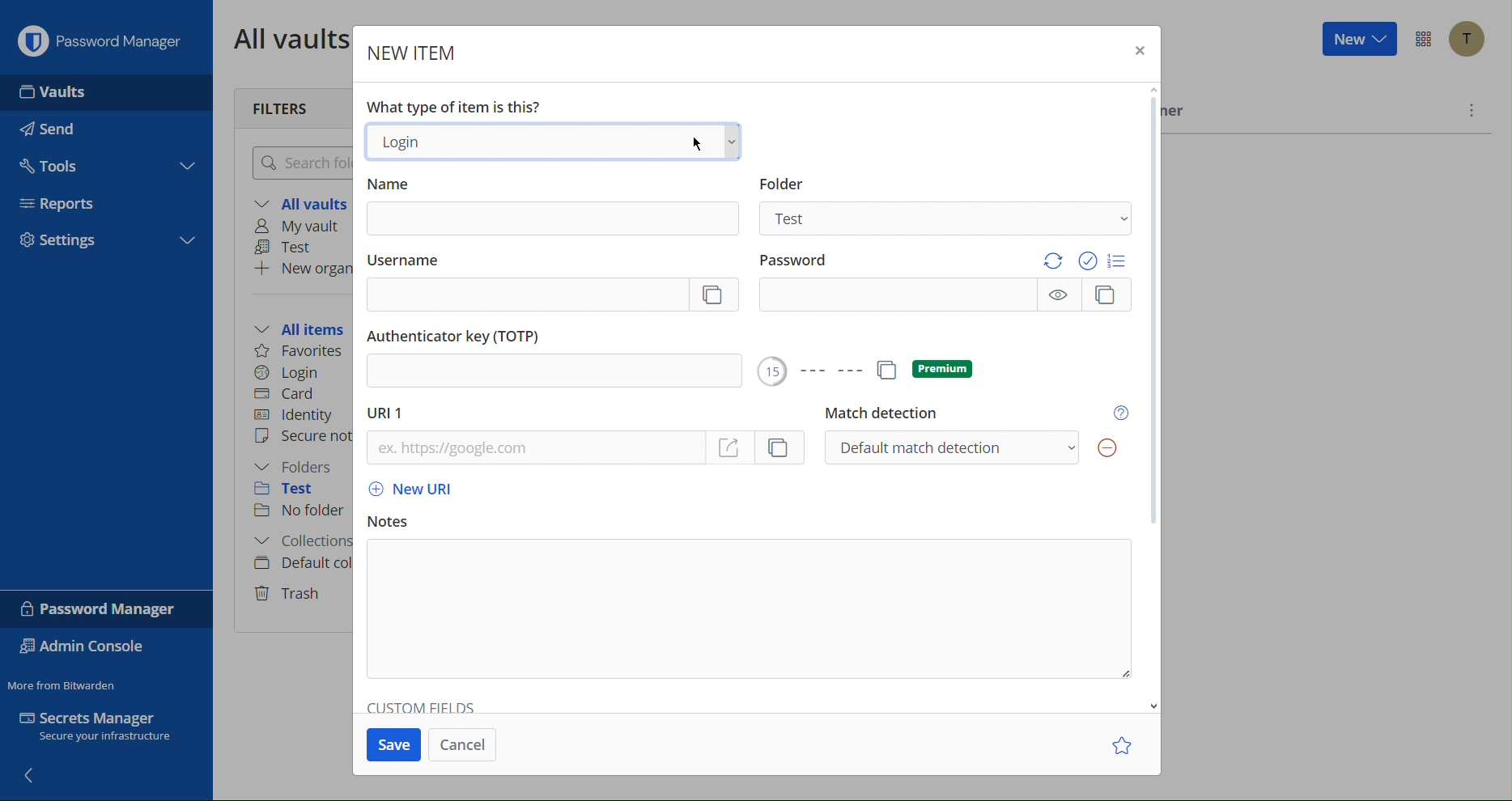 The width and height of the screenshot is (1512, 801). What do you see at coordinates (304, 538) in the screenshot?
I see `Collections` at bounding box center [304, 538].